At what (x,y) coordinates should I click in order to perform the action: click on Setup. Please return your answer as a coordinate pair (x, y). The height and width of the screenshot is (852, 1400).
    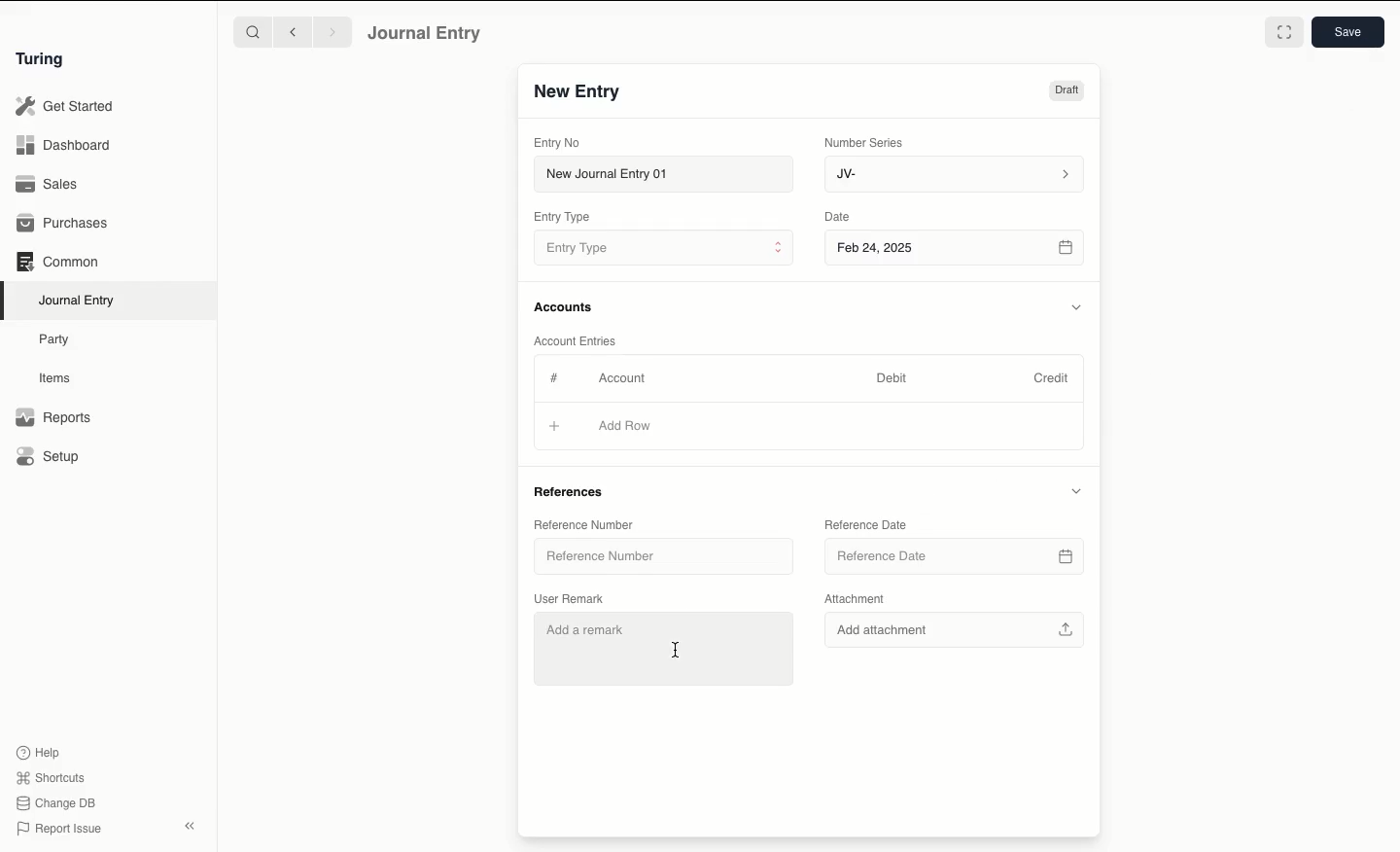
    Looking at the image, I should click on (49, 455).